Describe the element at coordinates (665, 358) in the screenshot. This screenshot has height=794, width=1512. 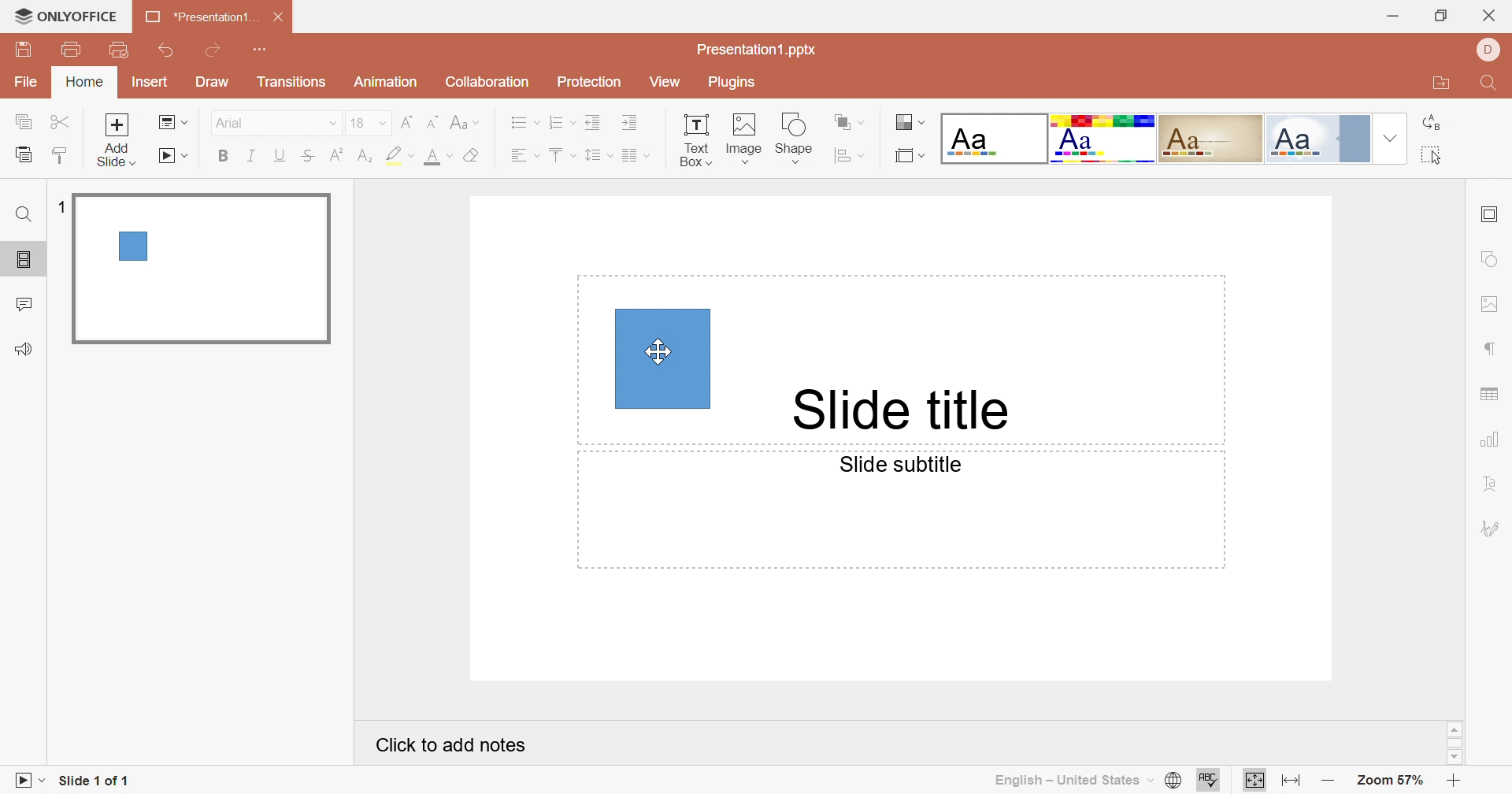
I see `Shape` at that location.